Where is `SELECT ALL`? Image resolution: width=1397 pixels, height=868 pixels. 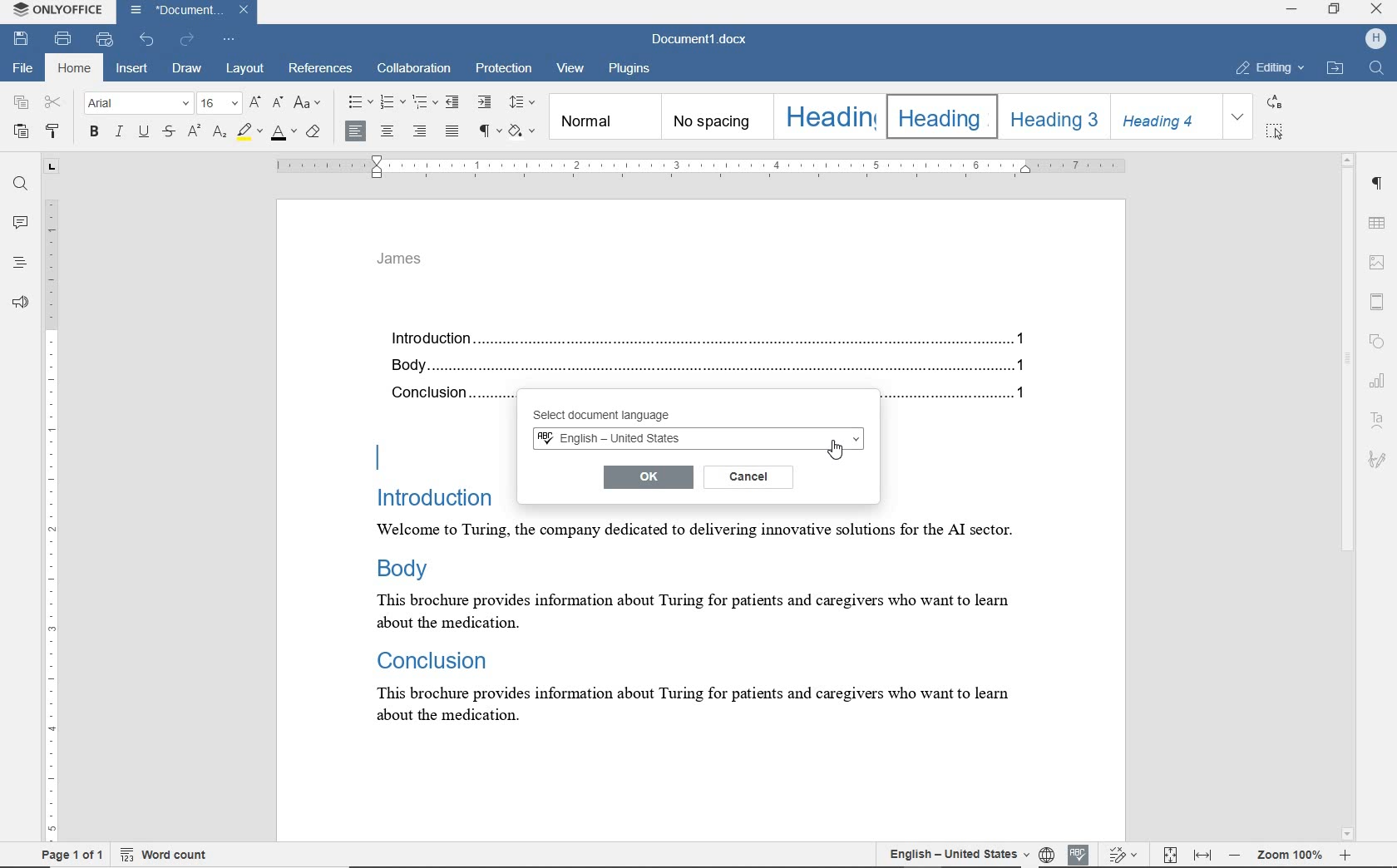 SELECT ALL is located at coordinates (1276, 131).